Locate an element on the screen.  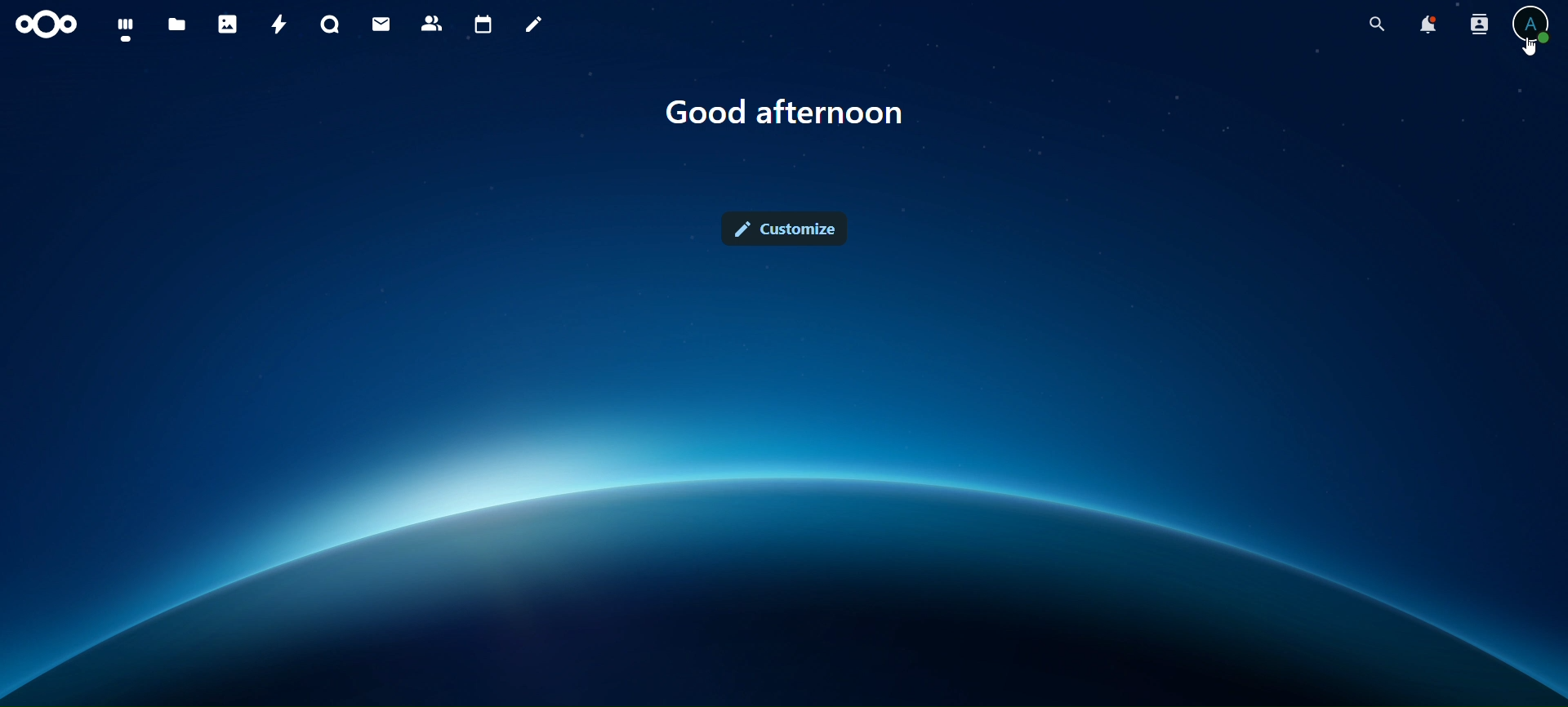
activity is located at coordinates (274, 23).